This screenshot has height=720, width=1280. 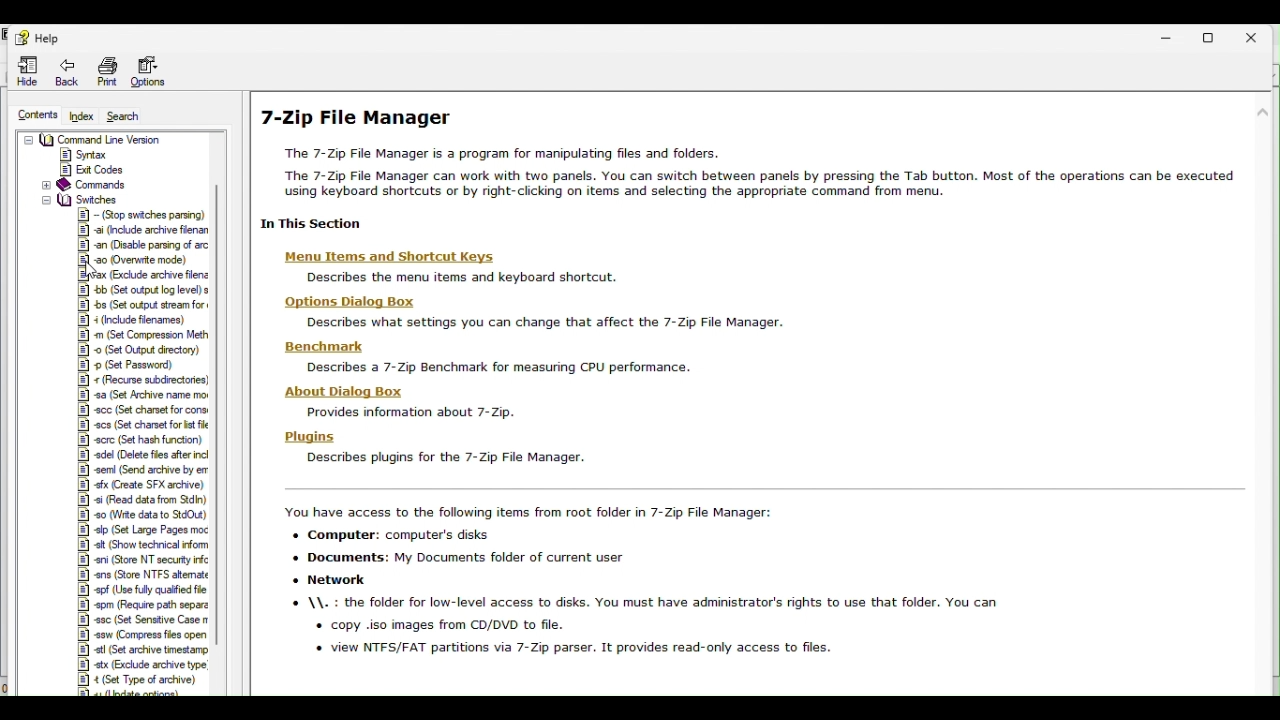 What do you see at coordinates (129, 117) in the screenshot?
I see `Search` at bounding box center [129, 117].